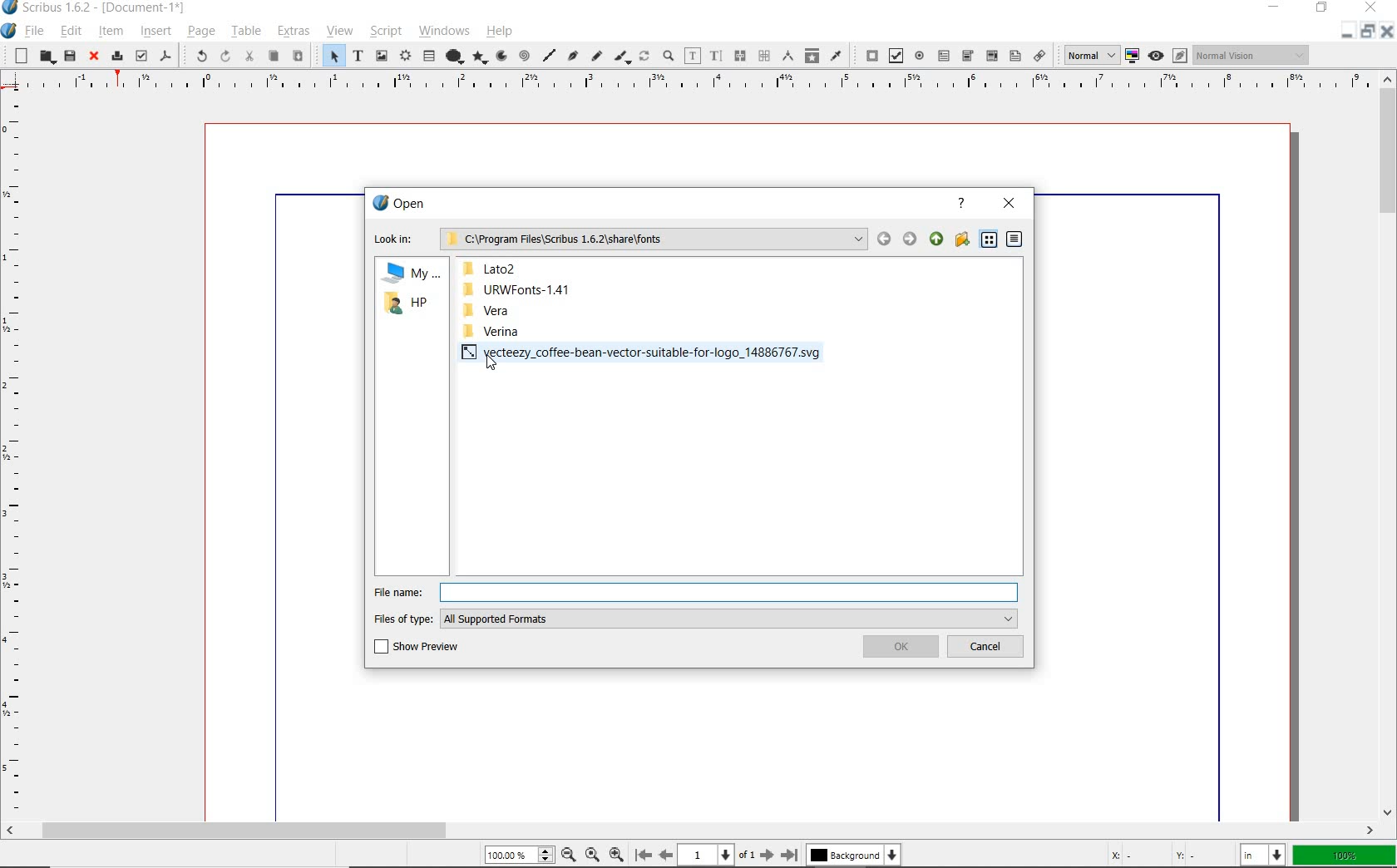 This screenshot has width=1397, height=868. What do you see at coordinates (664, 855) in the screenshot?
I see `Previous Page` at bounding box center [664, 855].